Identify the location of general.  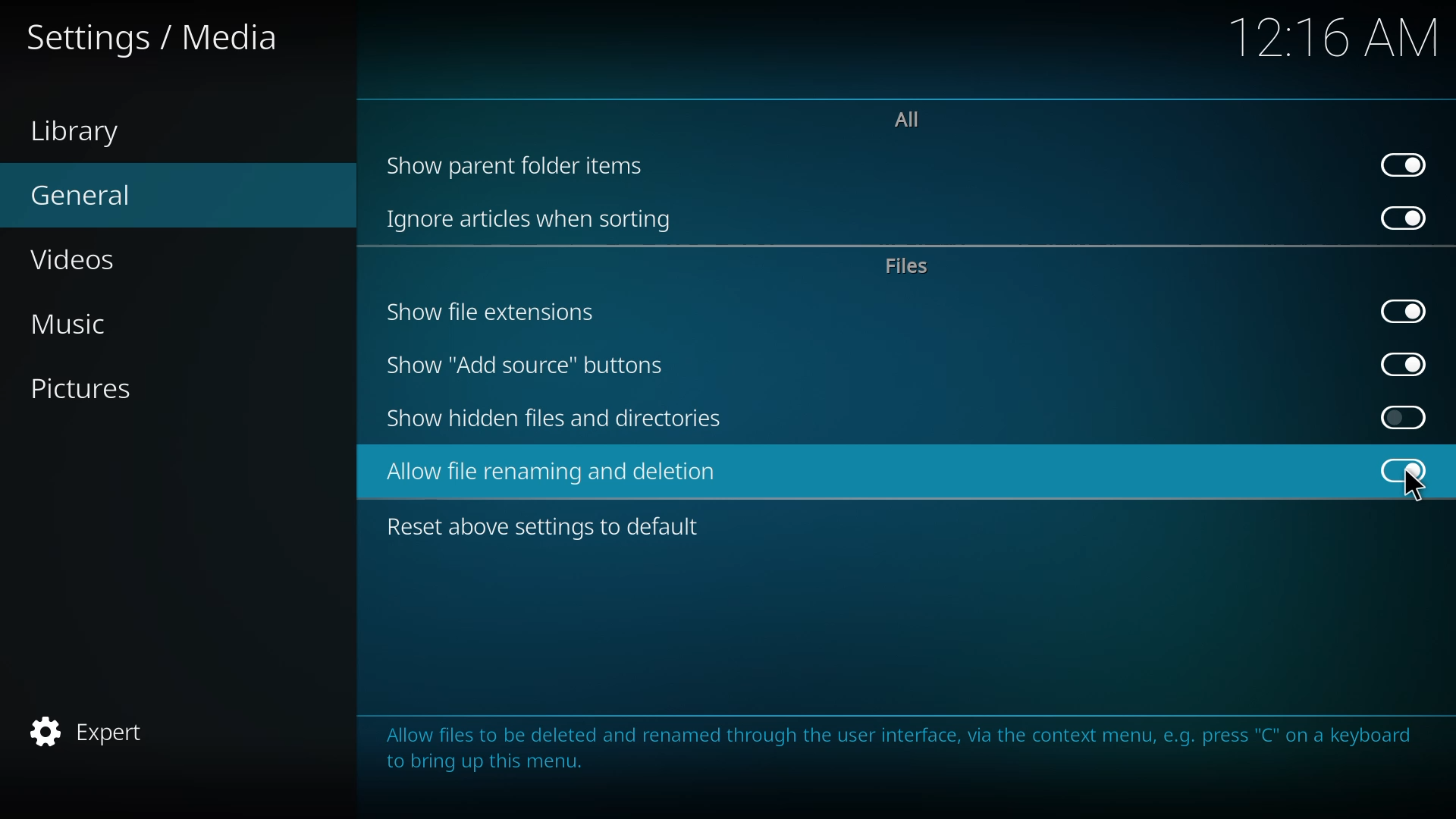
(93, 193).